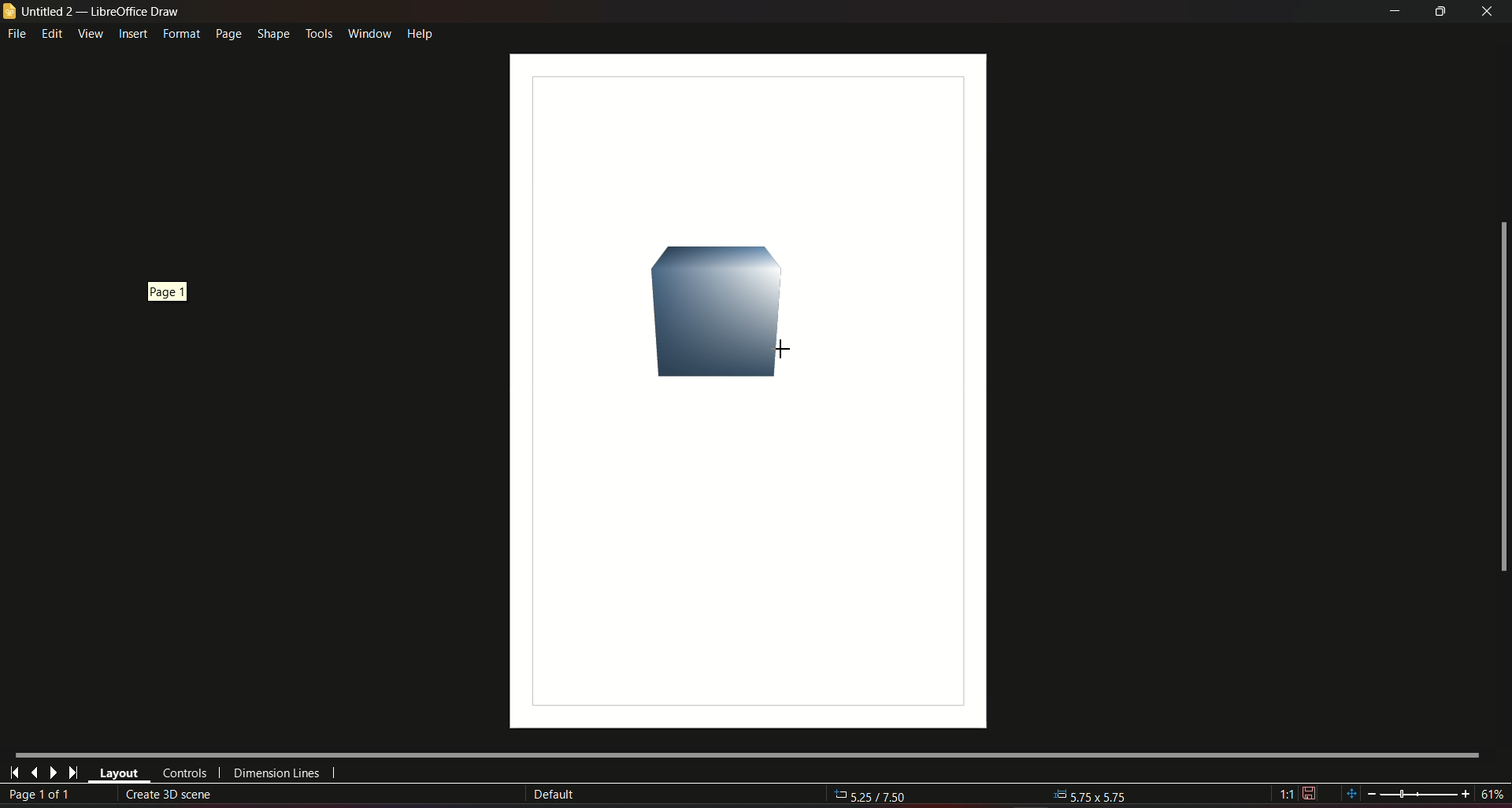  Describe the element at coordinates (1392, 12) in the screenshot. I see `minimize` at that location.